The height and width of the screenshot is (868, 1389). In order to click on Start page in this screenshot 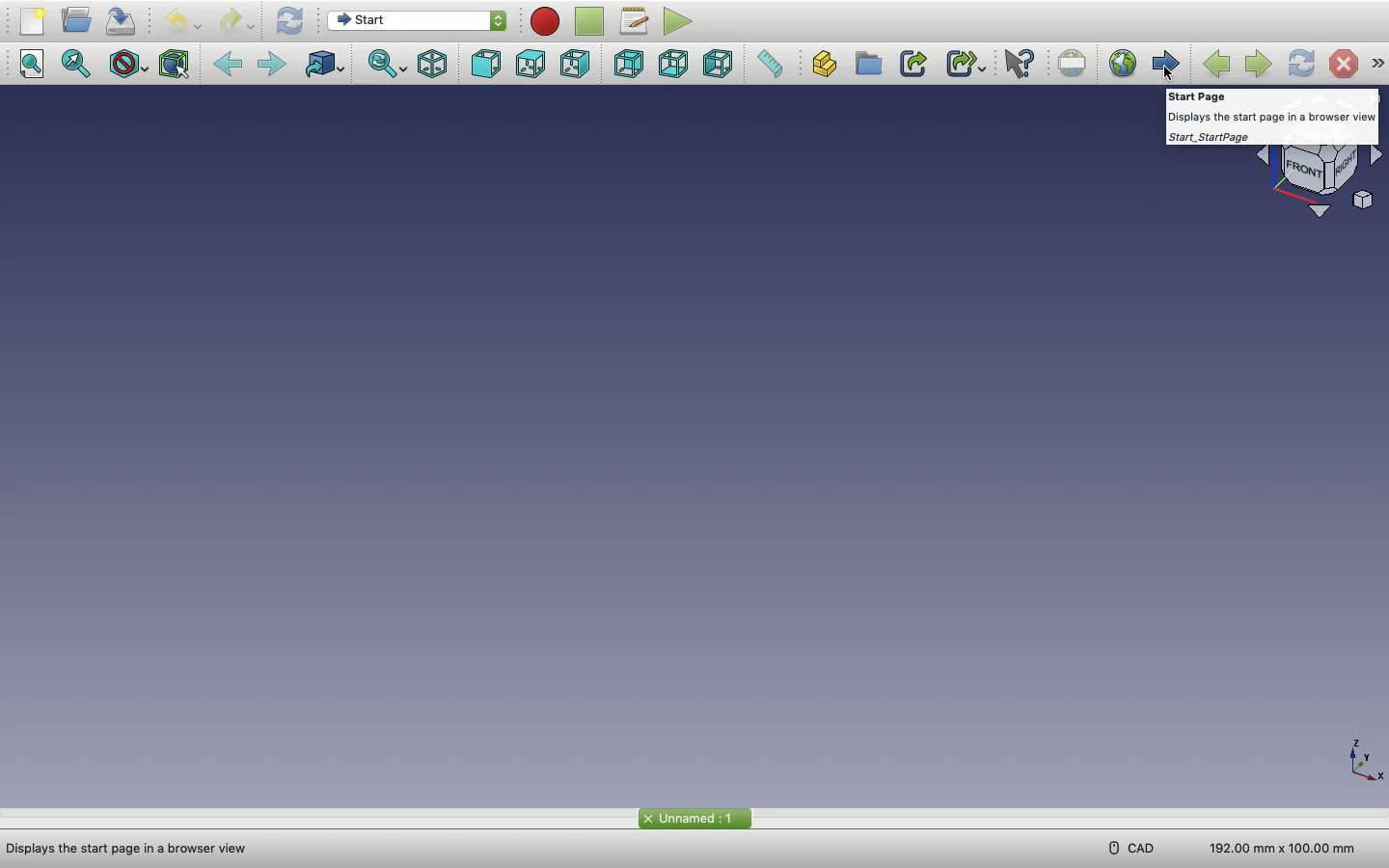, I will do `click(1165, 64)`.